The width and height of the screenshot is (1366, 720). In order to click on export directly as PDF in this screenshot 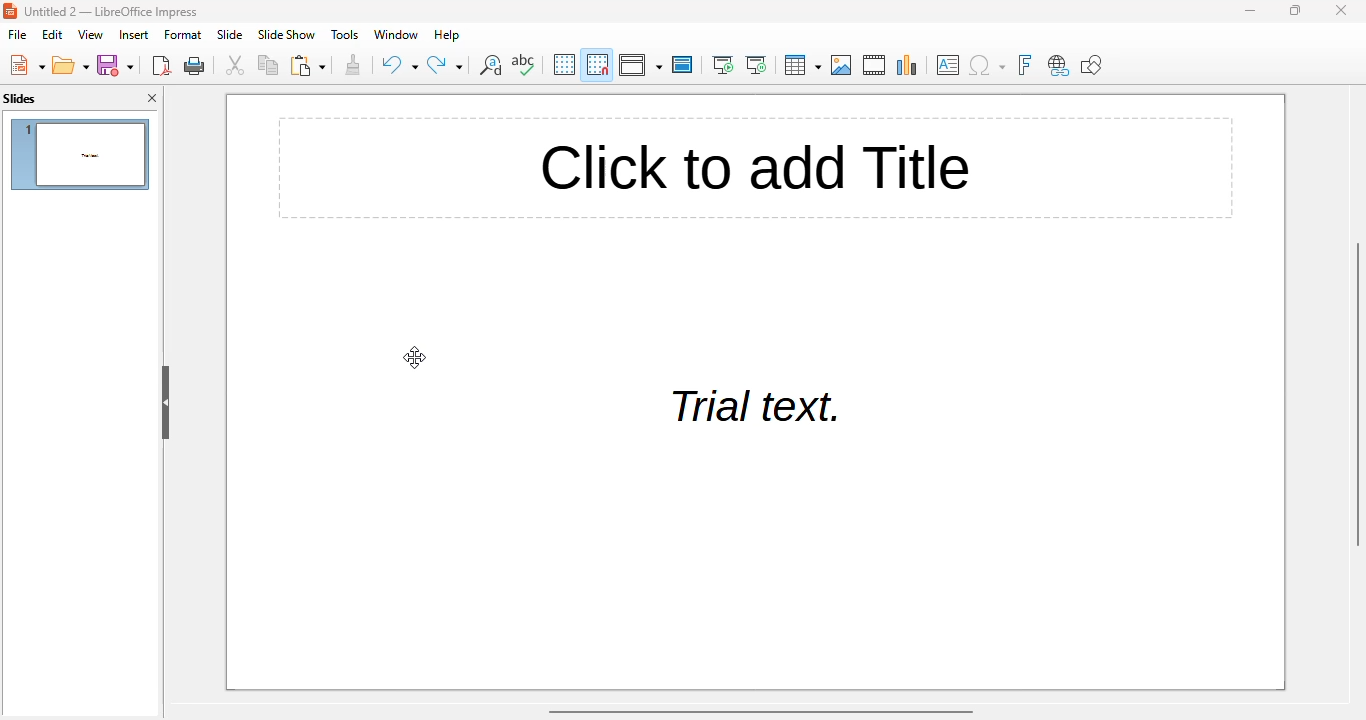, I will do `click(162, 65)`.